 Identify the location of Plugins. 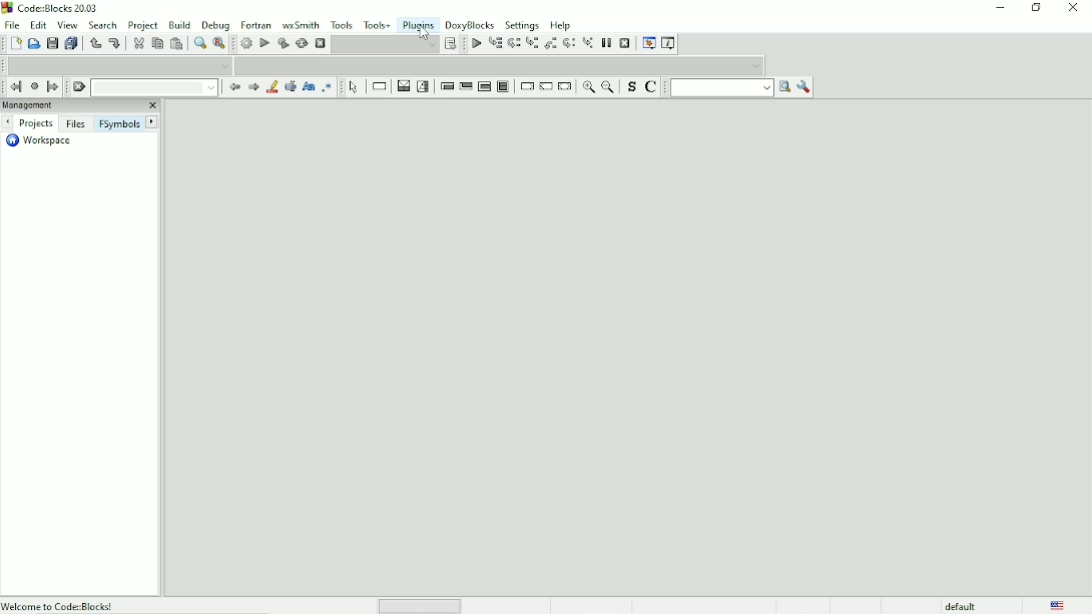
(418, 23).